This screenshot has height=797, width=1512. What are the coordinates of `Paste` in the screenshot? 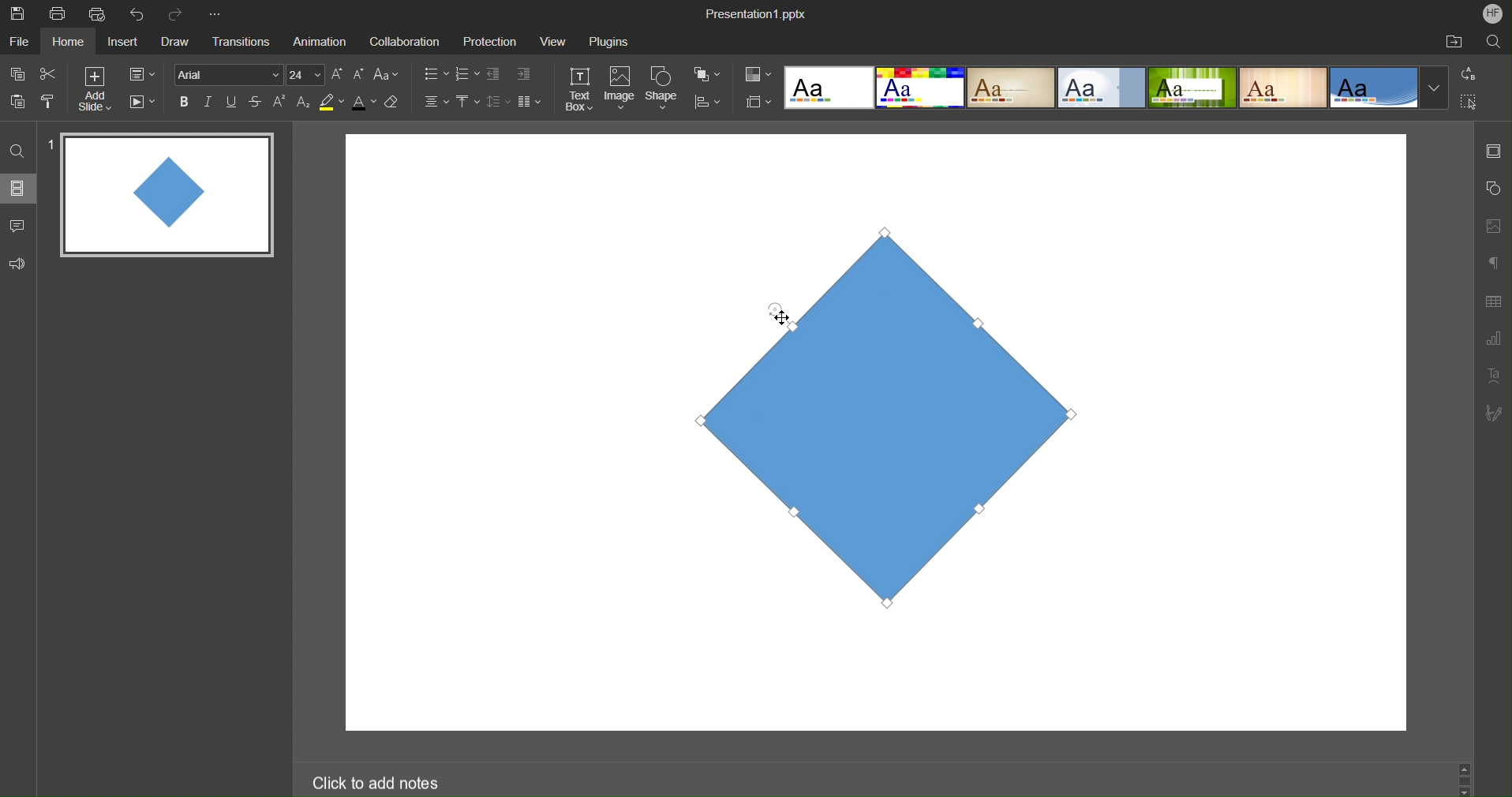 It's located at (16, 102).